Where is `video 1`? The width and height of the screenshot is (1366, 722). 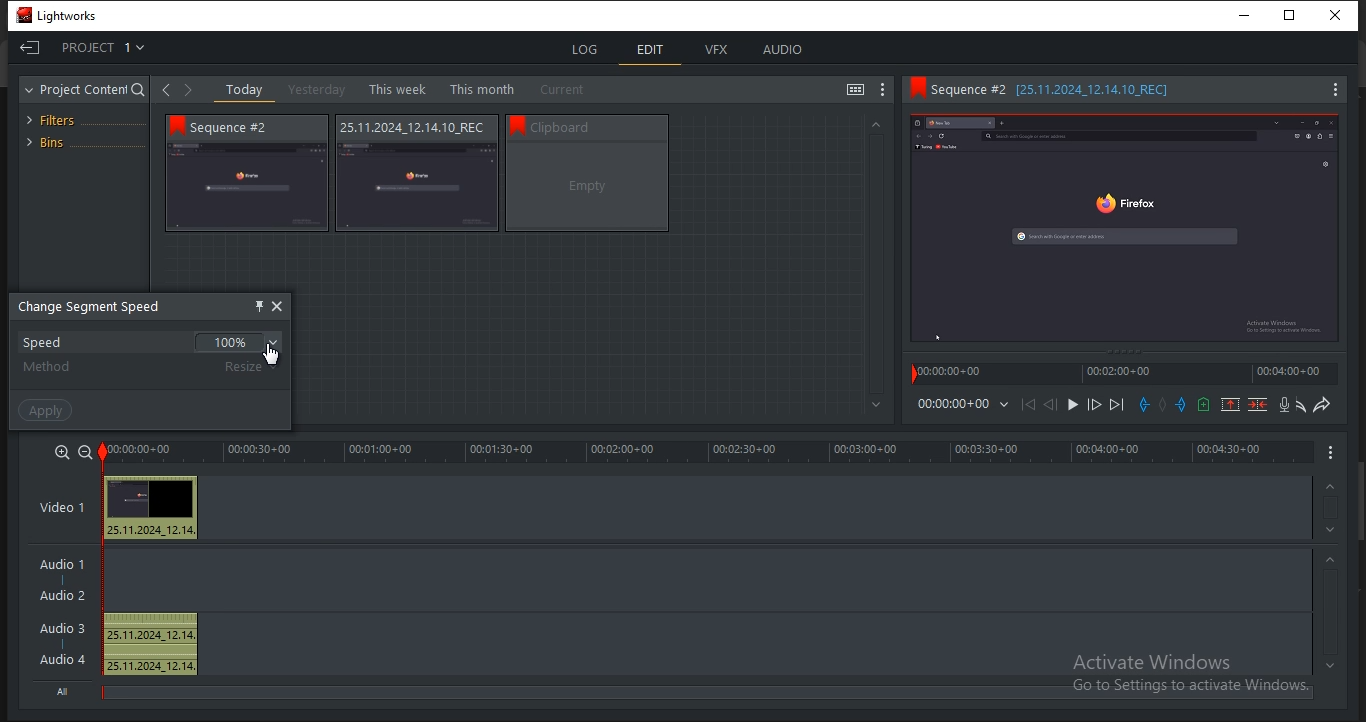
video 1 is located at coordinates (65, 506).